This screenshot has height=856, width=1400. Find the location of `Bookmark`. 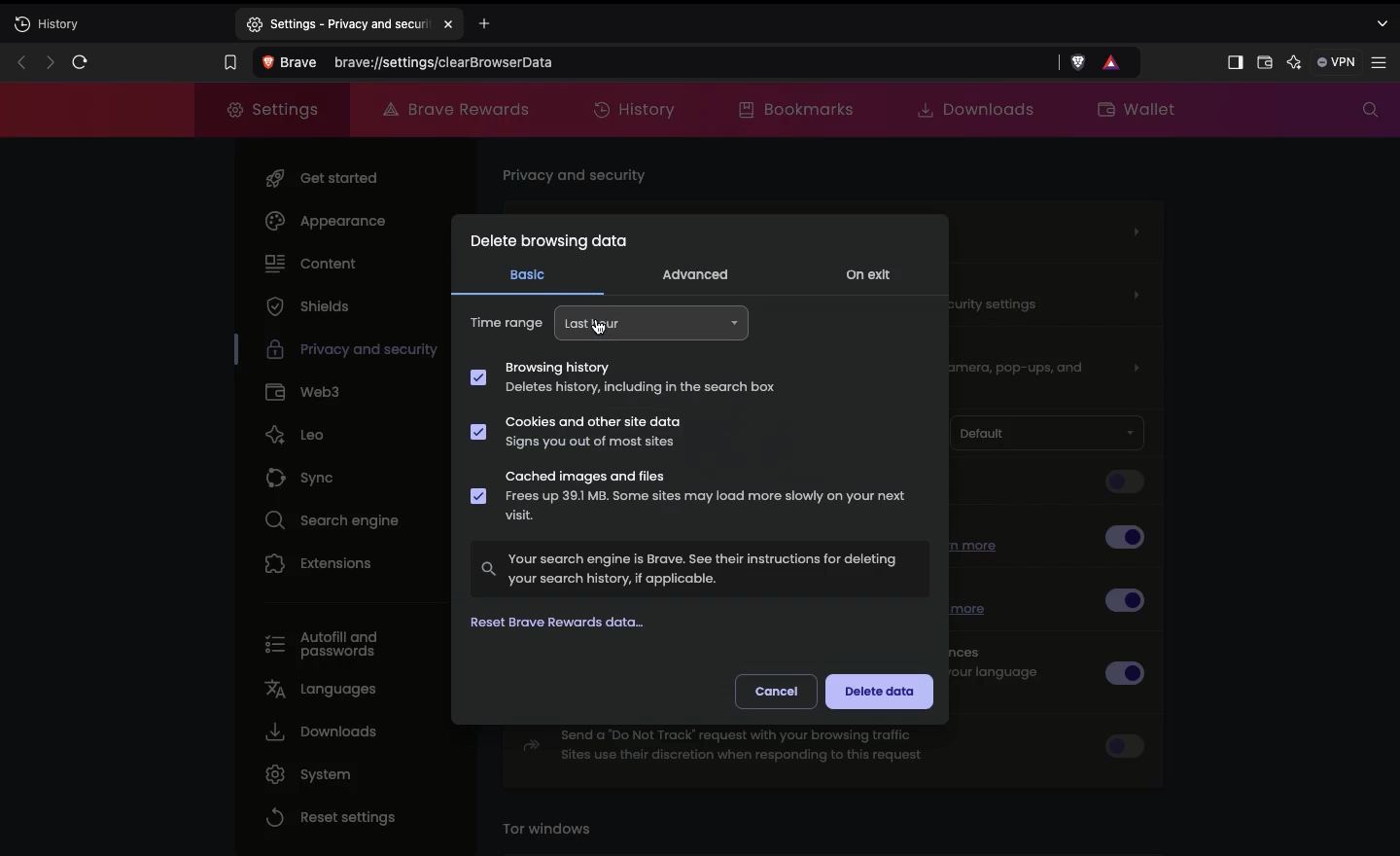

Bookmark is located at coordinates (226, 60).